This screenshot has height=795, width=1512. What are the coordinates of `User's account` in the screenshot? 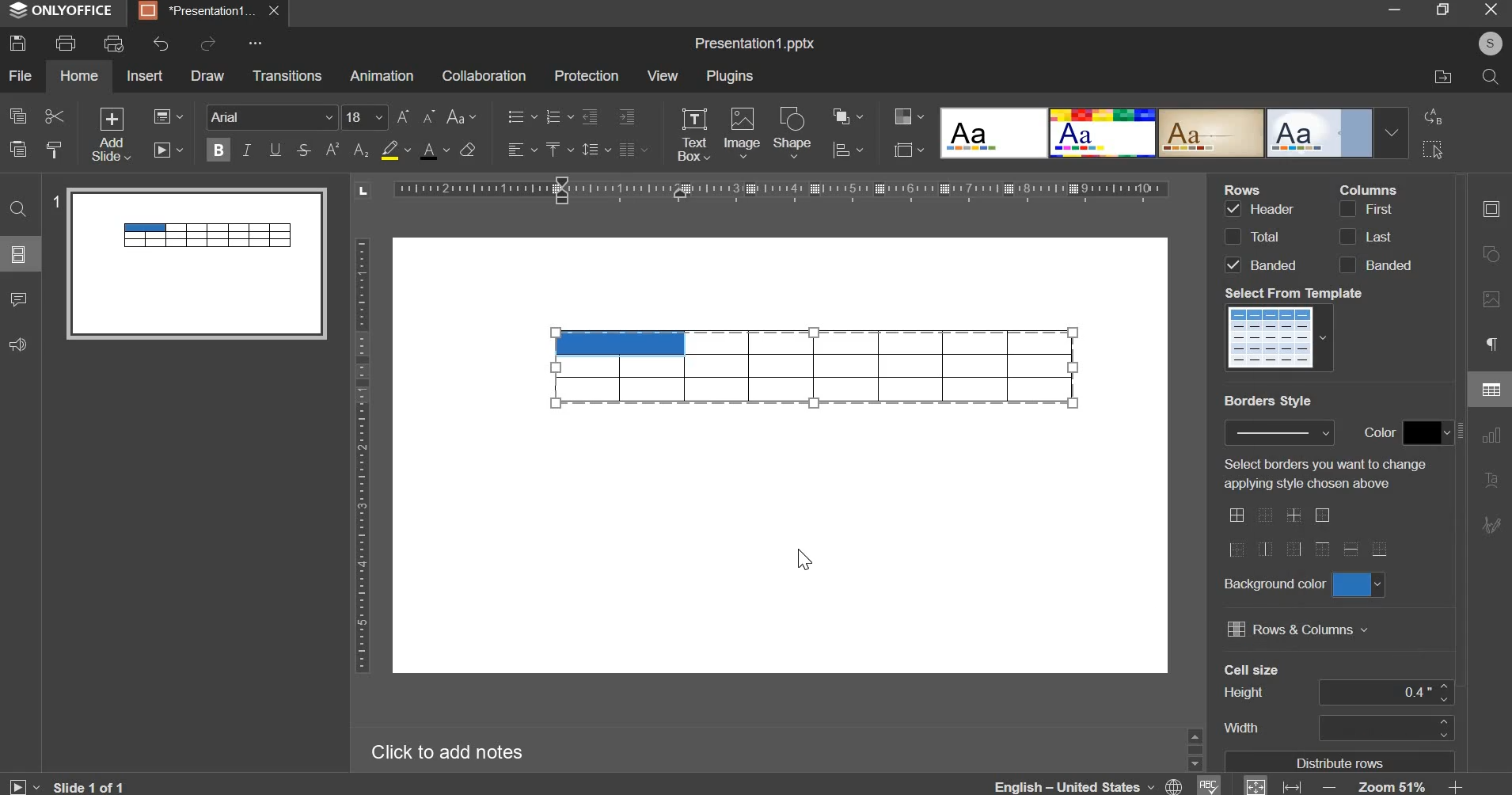 It's located at (1490, 42).